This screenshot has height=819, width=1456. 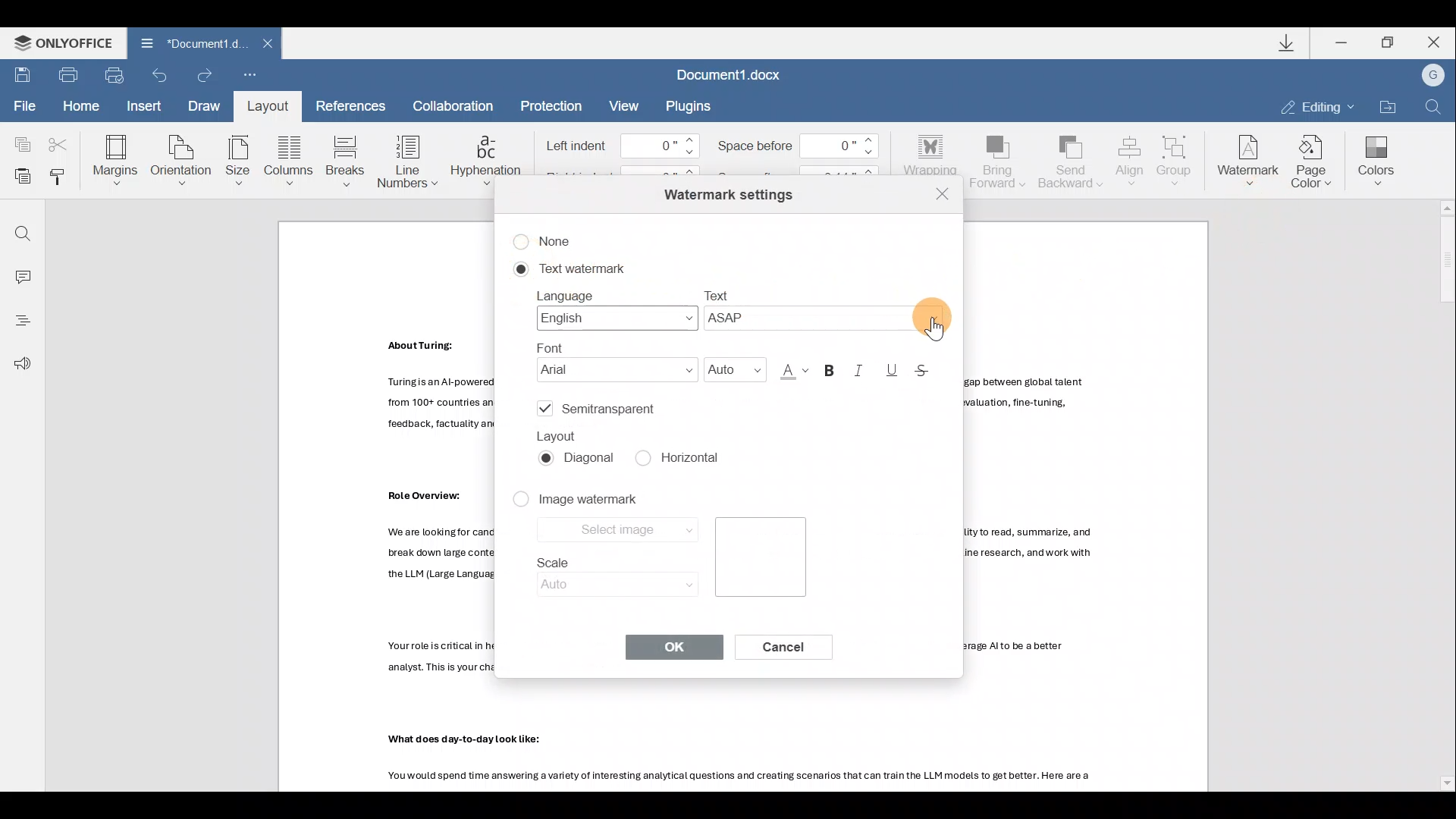 I want to click on Group, so click(x=1179, y=157).